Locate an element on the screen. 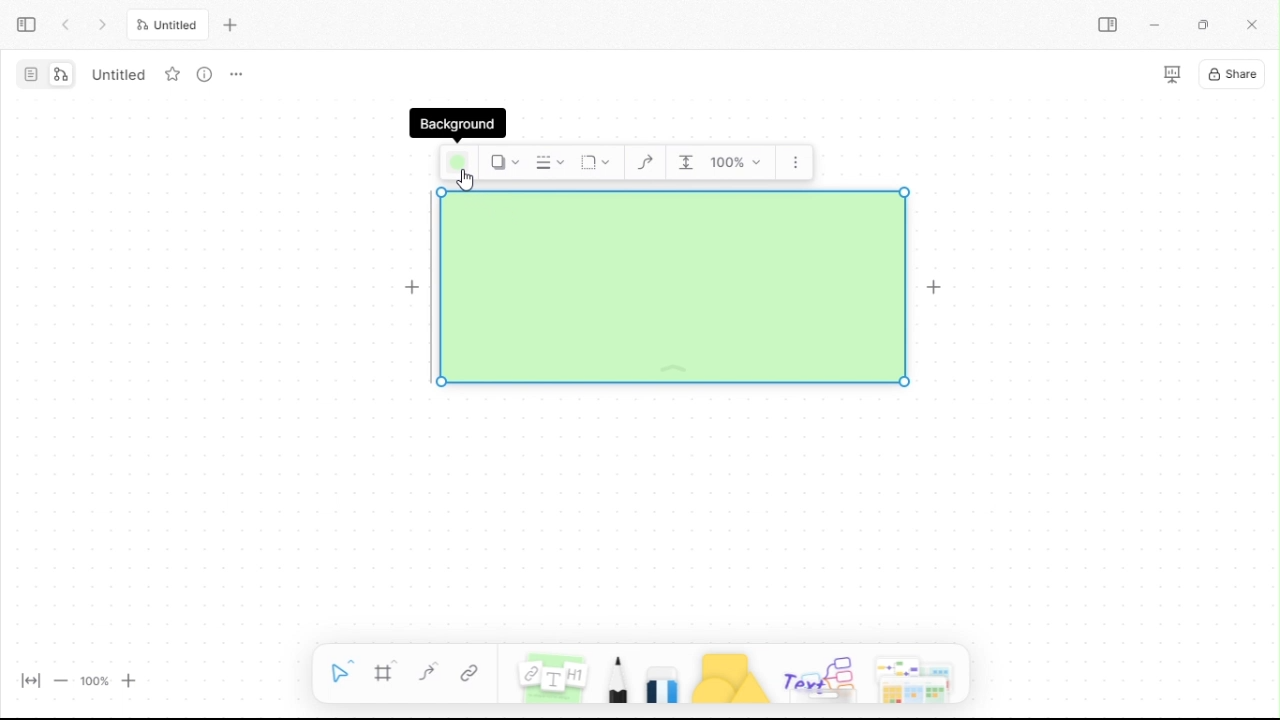 The image size is (1280, 720). slideshow is located at coordinates (1169, 73).